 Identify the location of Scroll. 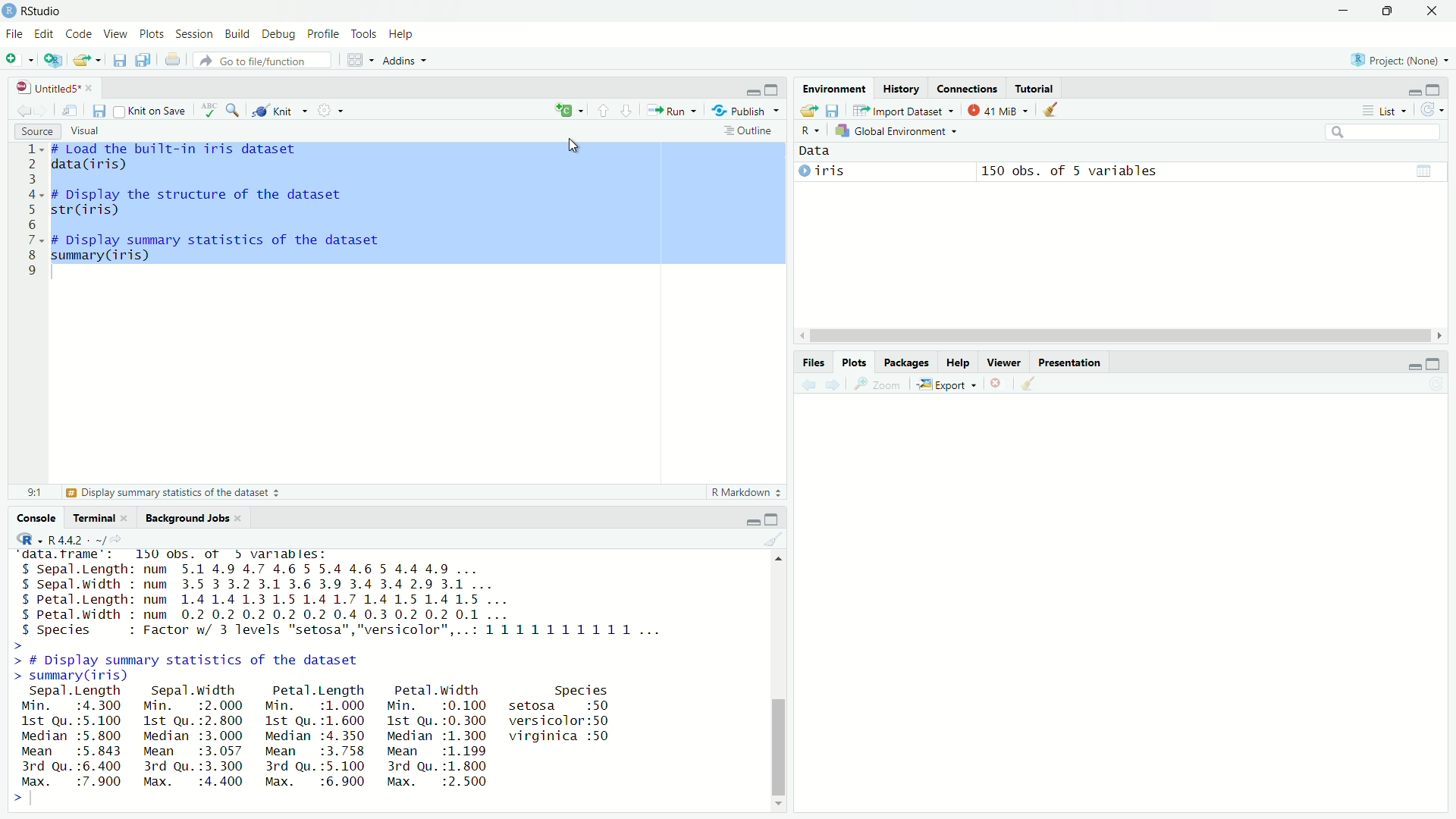
(1120, 335).